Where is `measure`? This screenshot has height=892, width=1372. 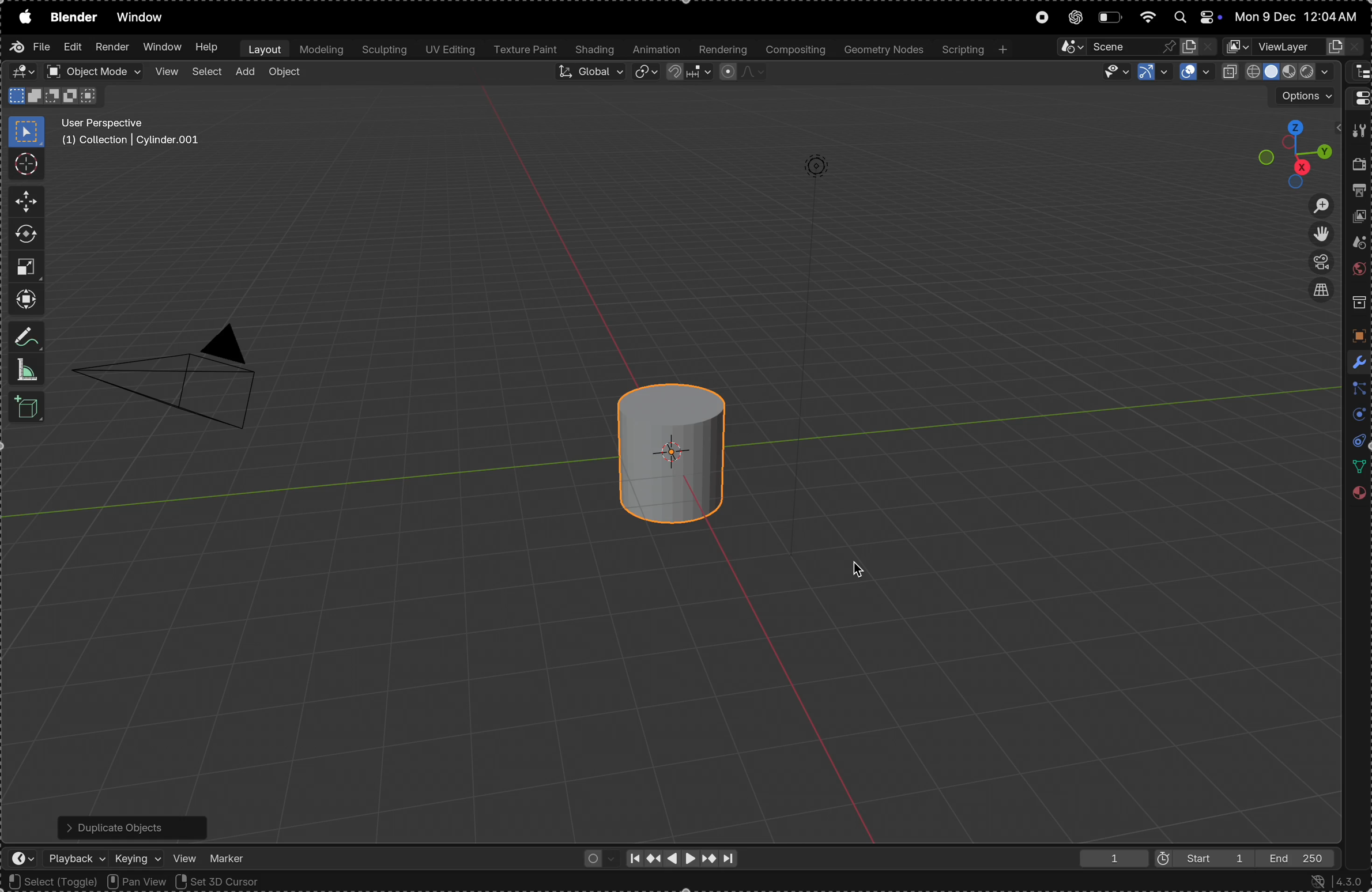 measure is located at coordinates (27, 370).